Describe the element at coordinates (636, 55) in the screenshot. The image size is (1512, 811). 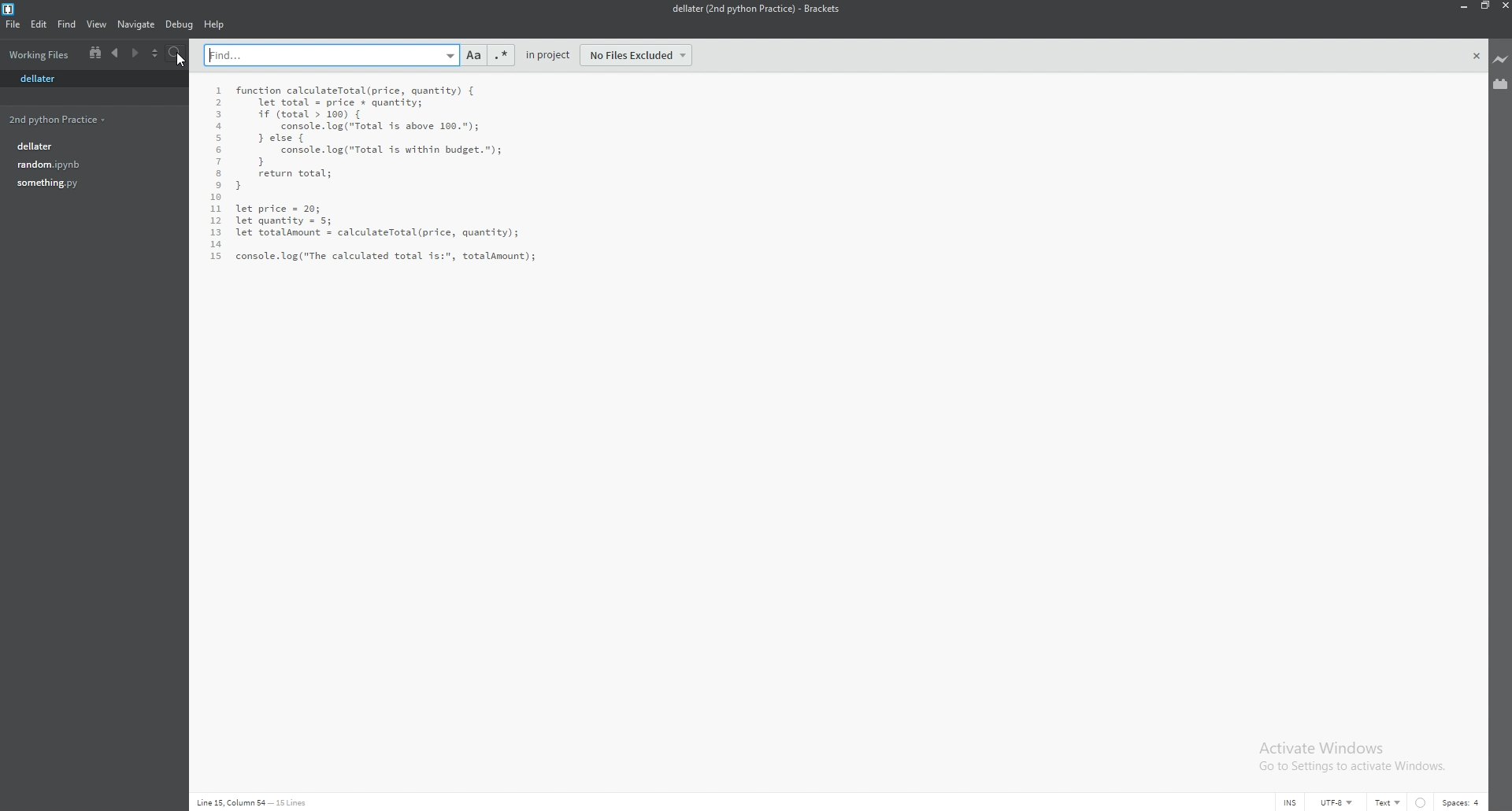
I see `no files excluded` at that location.